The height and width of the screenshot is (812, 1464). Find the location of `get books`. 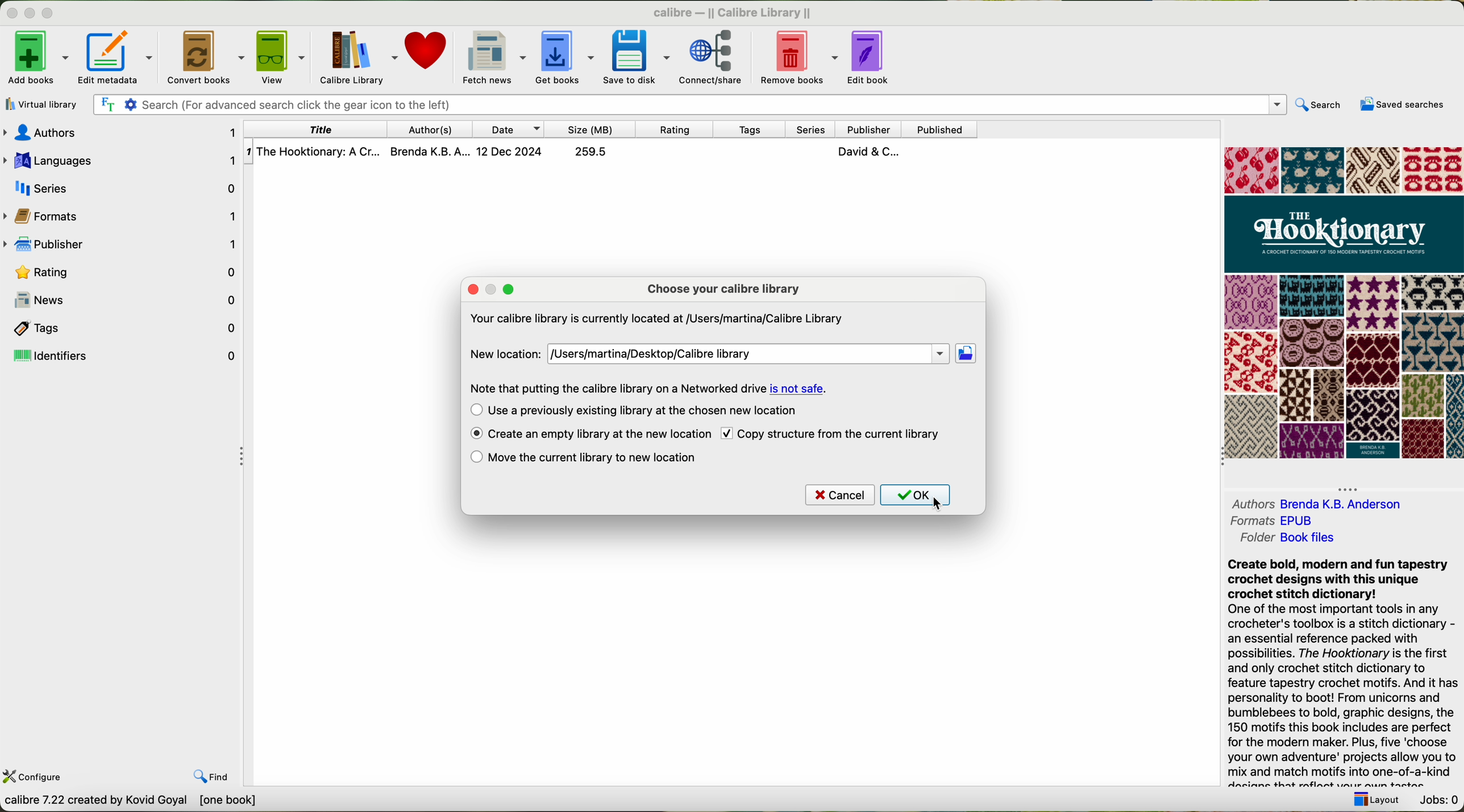

get books is located at coordinates (565, 57).